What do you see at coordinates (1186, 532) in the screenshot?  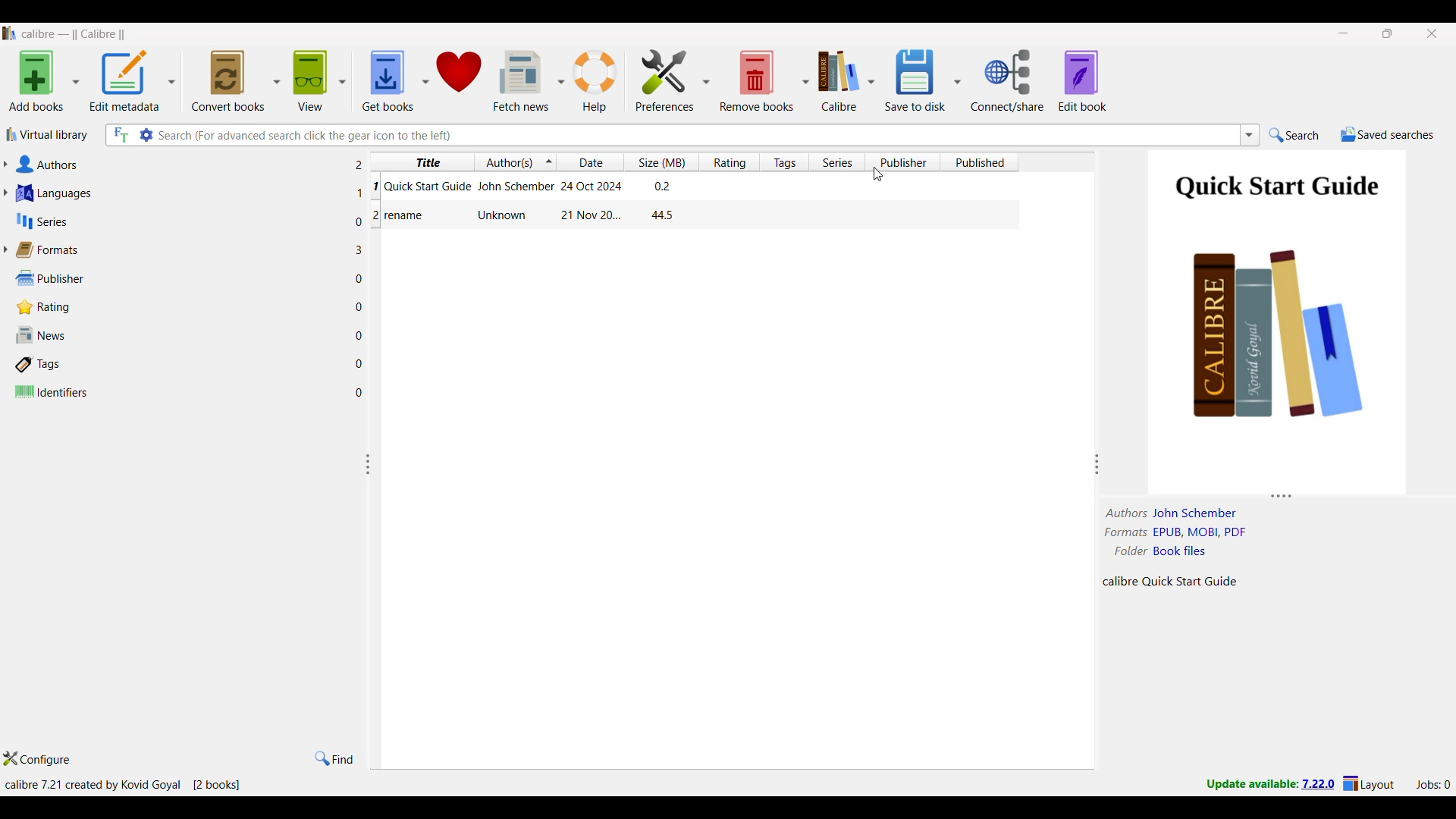 I see `Book formats` at bounding box center [1186, 532].